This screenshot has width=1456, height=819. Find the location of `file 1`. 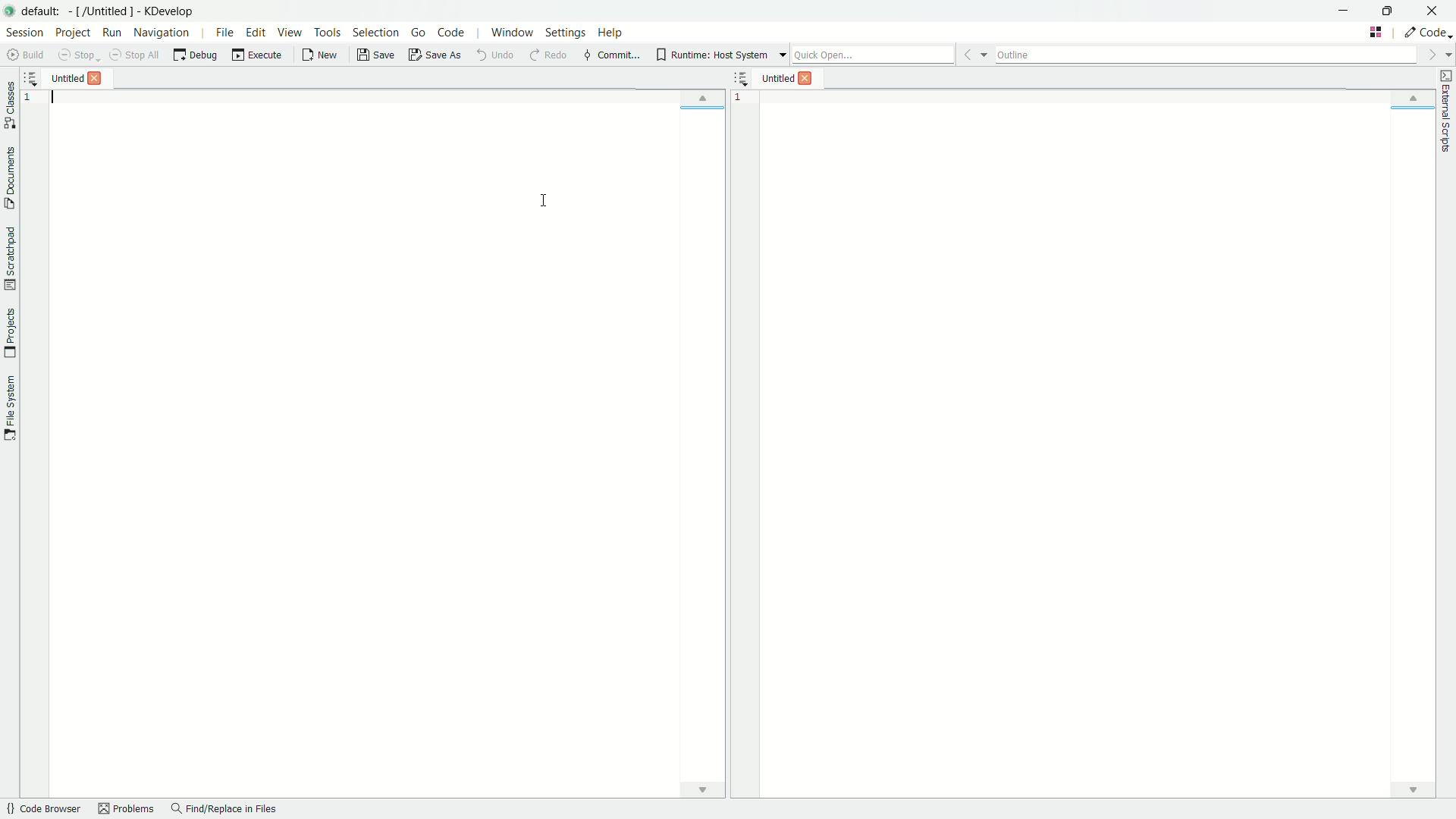

file 1 is located at coordinates (65, 79).